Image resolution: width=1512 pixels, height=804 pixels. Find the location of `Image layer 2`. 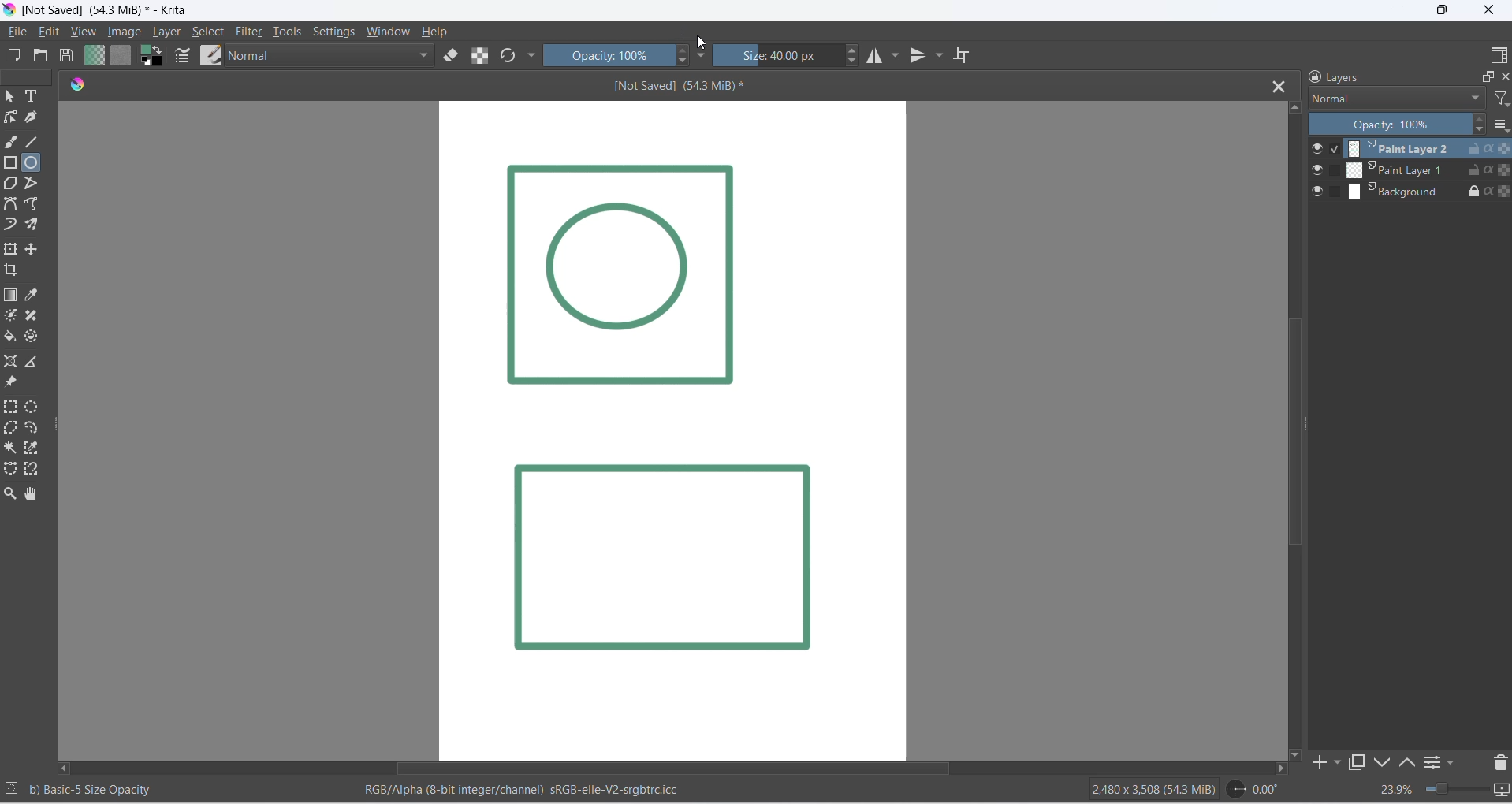

Image layer 2 is located at coordinates (667, 557).